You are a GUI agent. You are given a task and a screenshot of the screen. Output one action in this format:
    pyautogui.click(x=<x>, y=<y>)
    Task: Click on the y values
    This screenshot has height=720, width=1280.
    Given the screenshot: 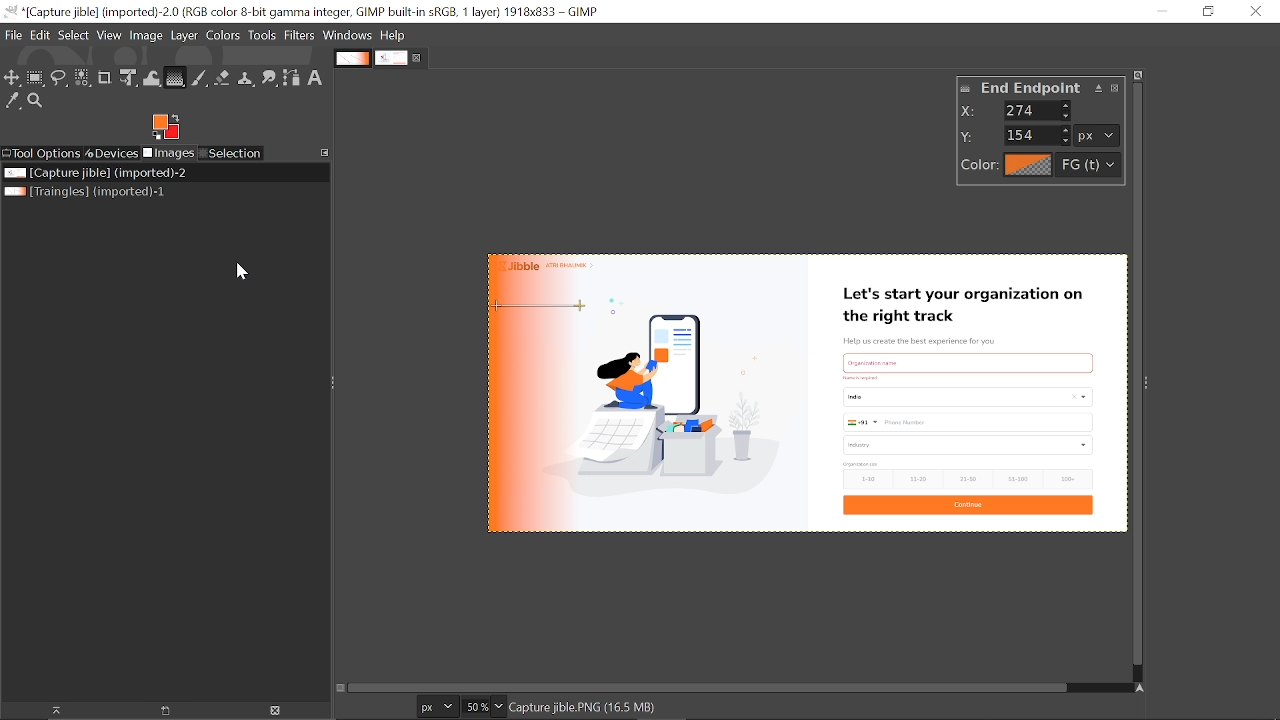 What is the action you would take?
    pyautogui.click(x=1039, y=135)
    